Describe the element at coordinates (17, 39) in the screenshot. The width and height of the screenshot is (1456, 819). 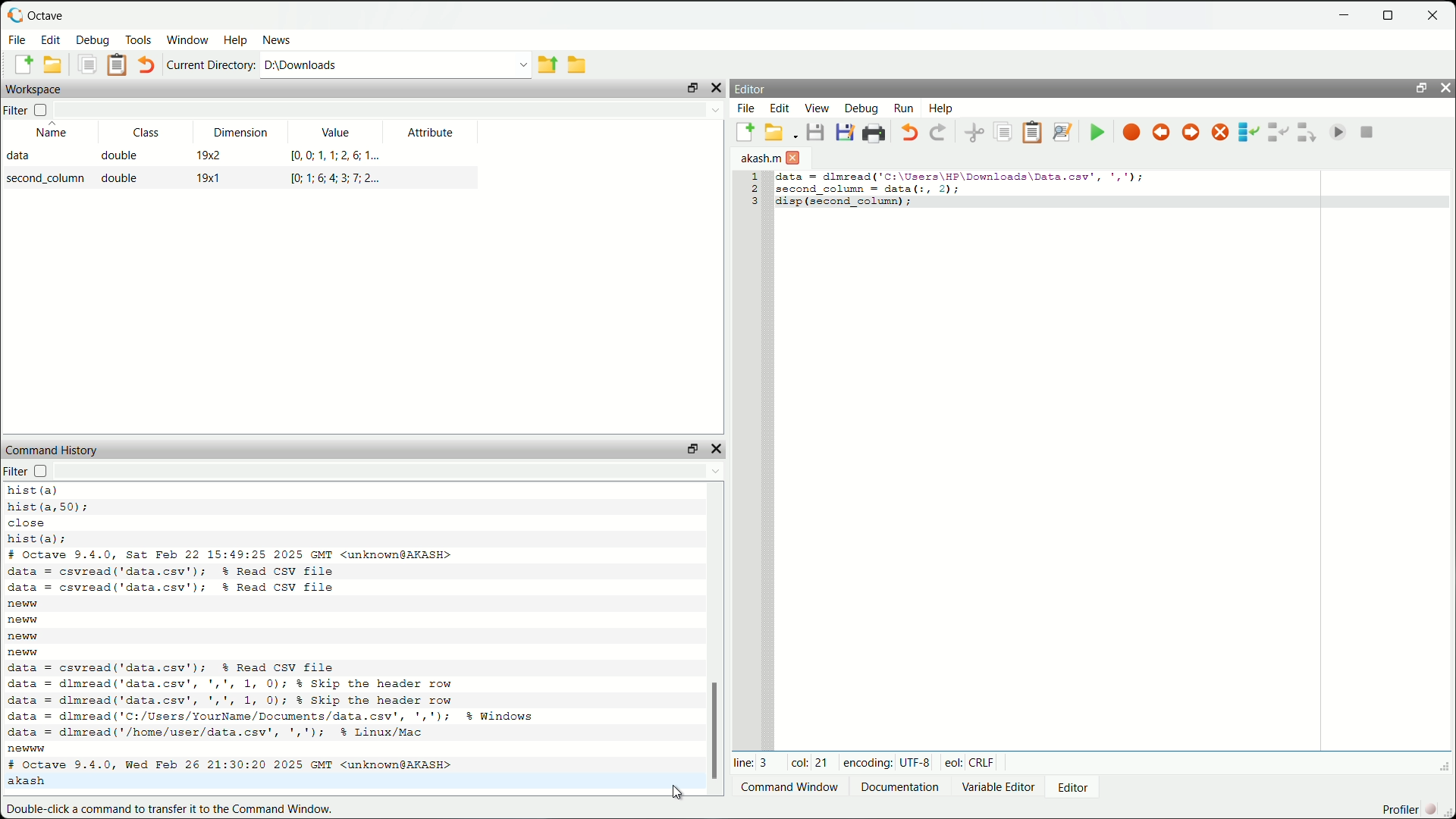
I see `file` at that location.